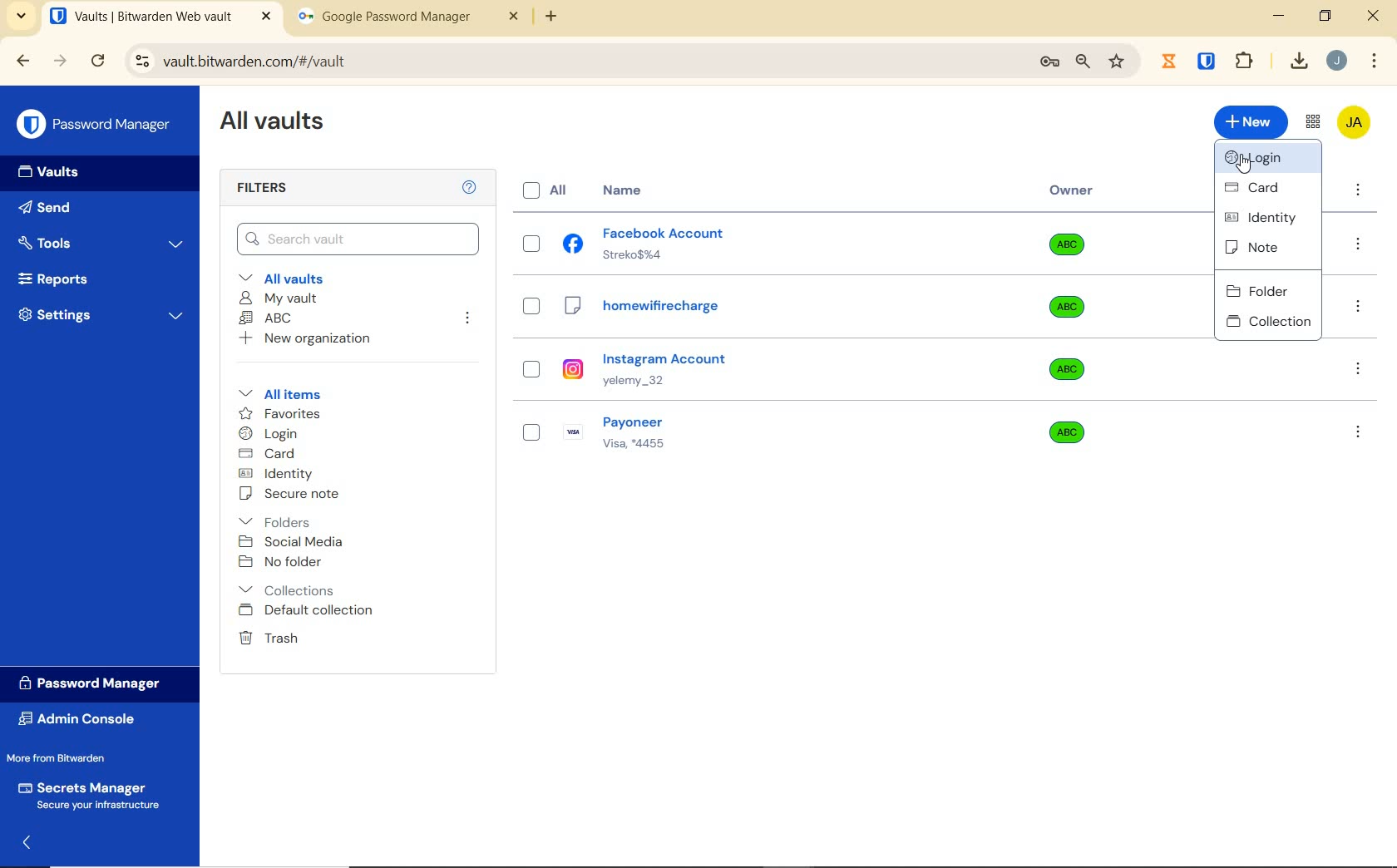 This screenshot has width=1397, height=868. Describe the element at coordinates (1311, 123) in the screenshot. I see `toggle between admin console and password manager` at that location.